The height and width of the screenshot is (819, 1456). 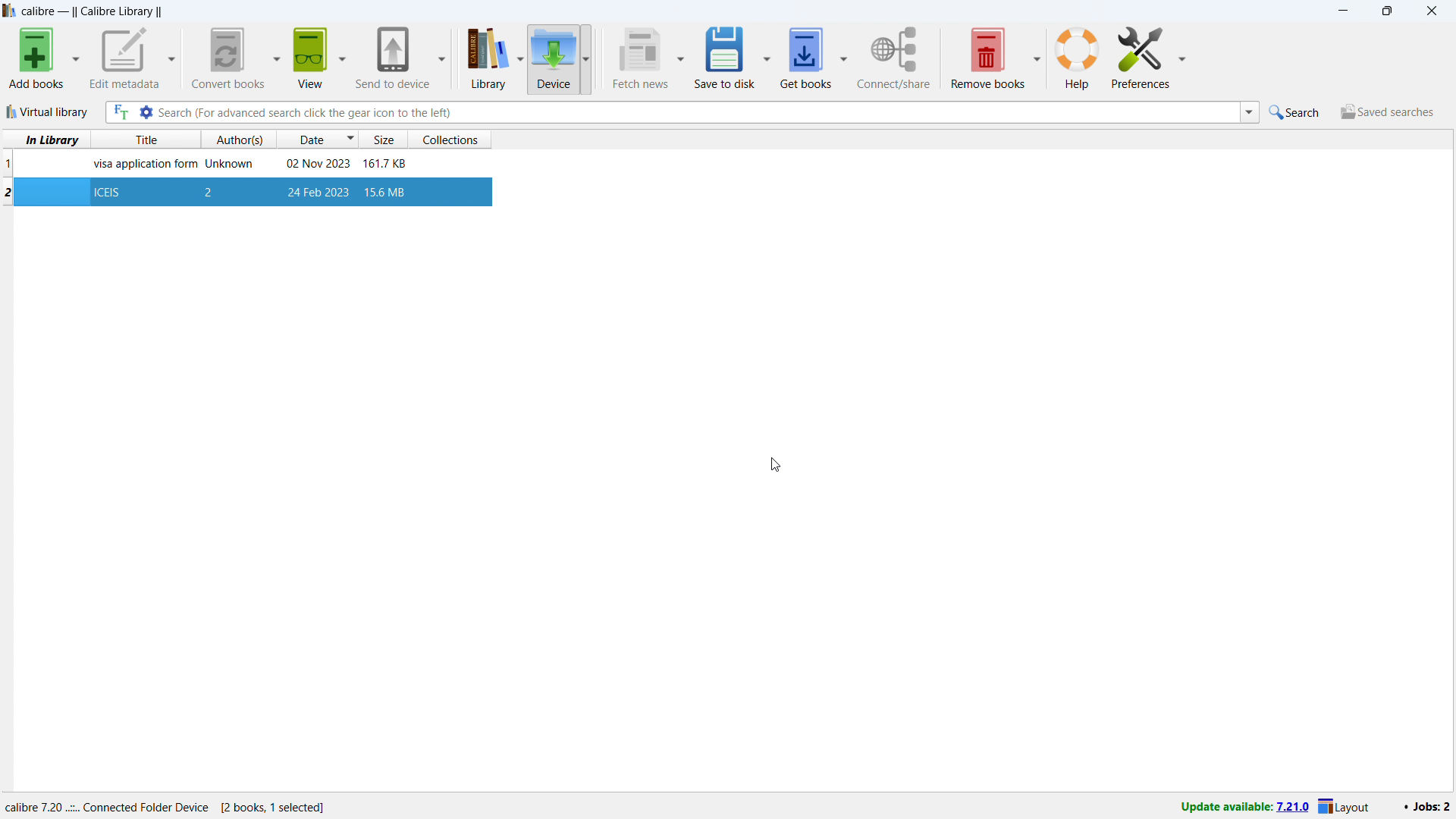 What do you see at coordinates (1386, 111) in the screenshot?
I see `saved searches` at bounding box center [1386, 111].